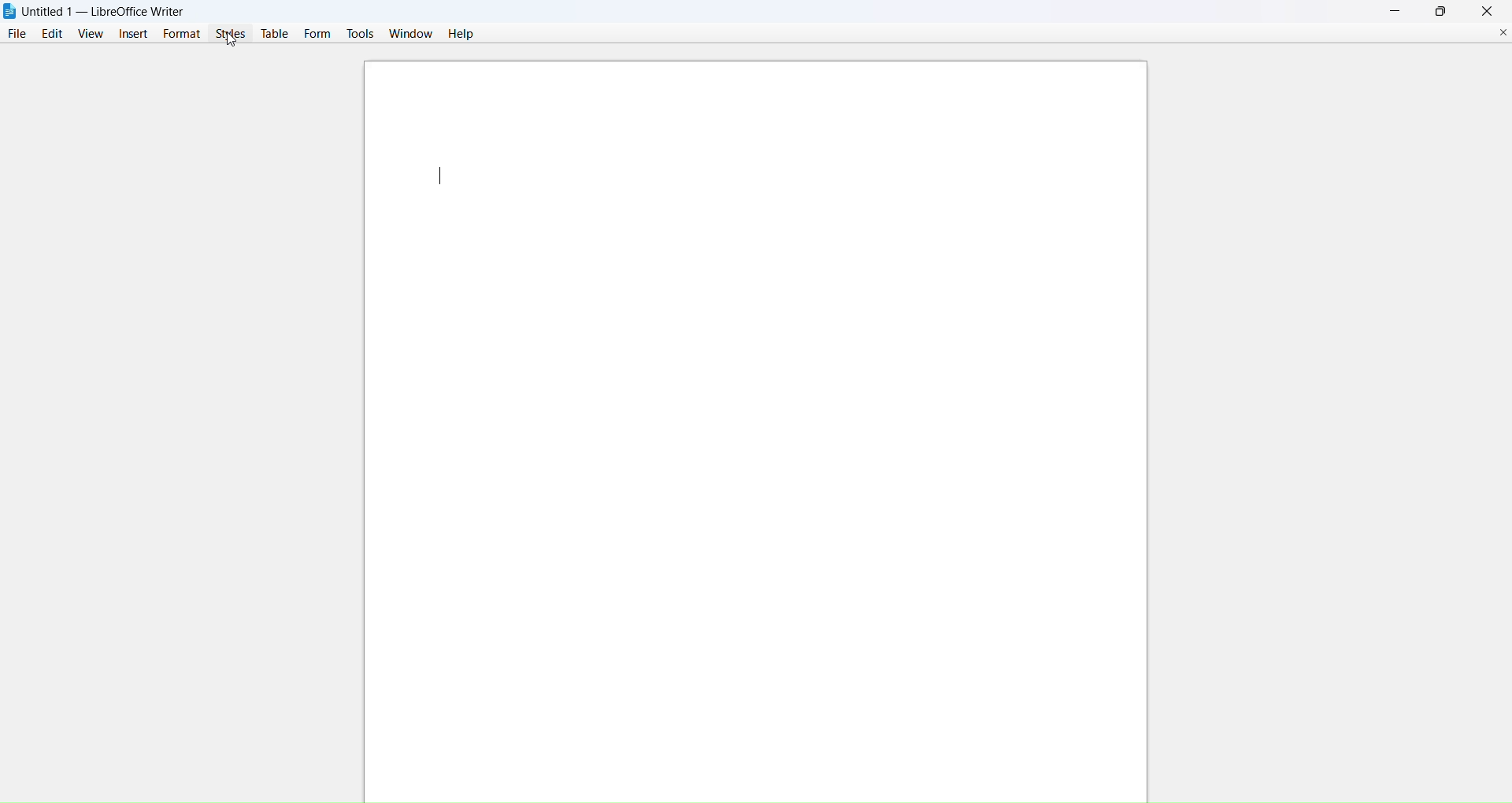  I want to click on maximize, so click(1444, 9).